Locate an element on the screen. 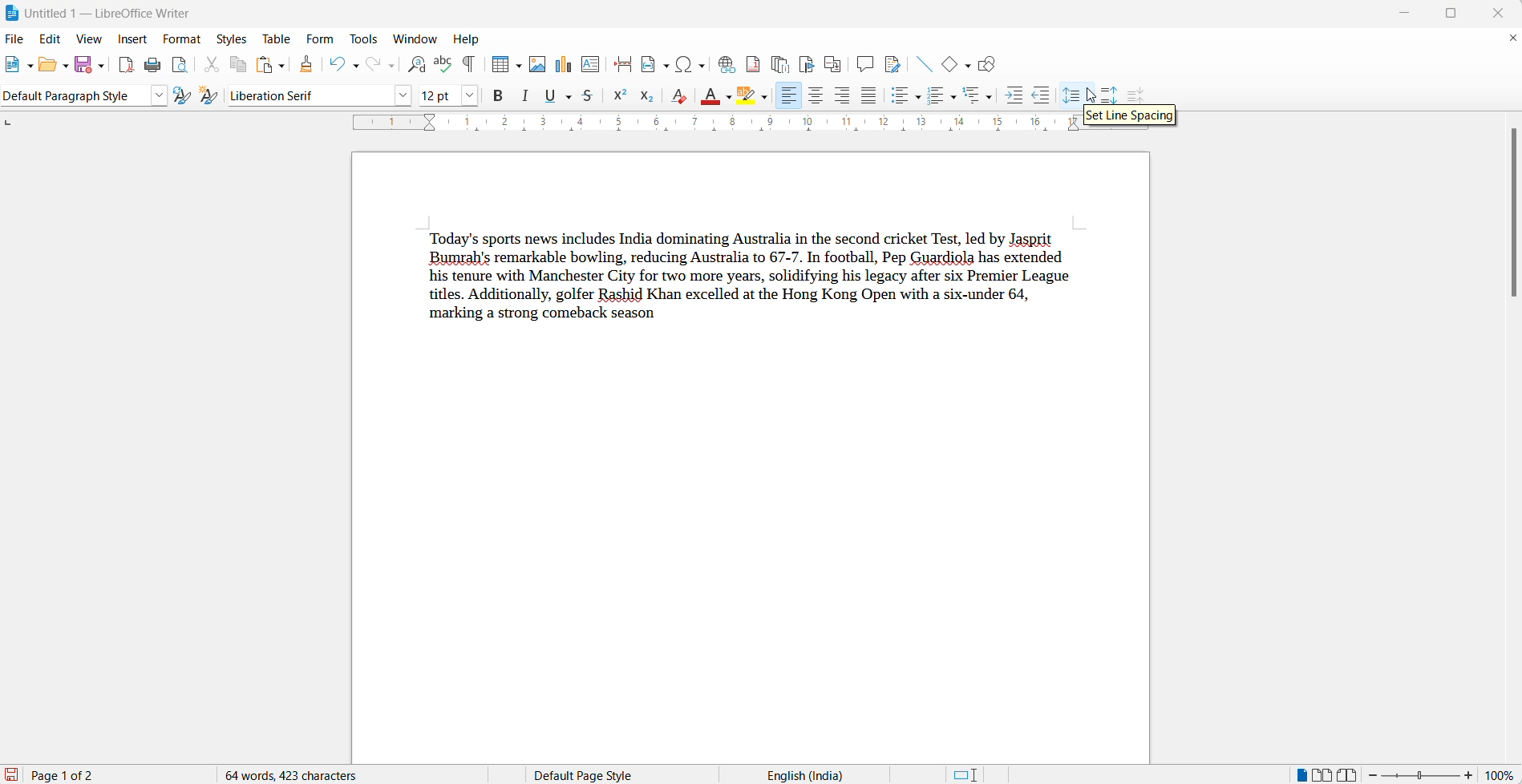 The width and height of the screenshot is (1522, 784). scaling is located at coordinates (712, 123).